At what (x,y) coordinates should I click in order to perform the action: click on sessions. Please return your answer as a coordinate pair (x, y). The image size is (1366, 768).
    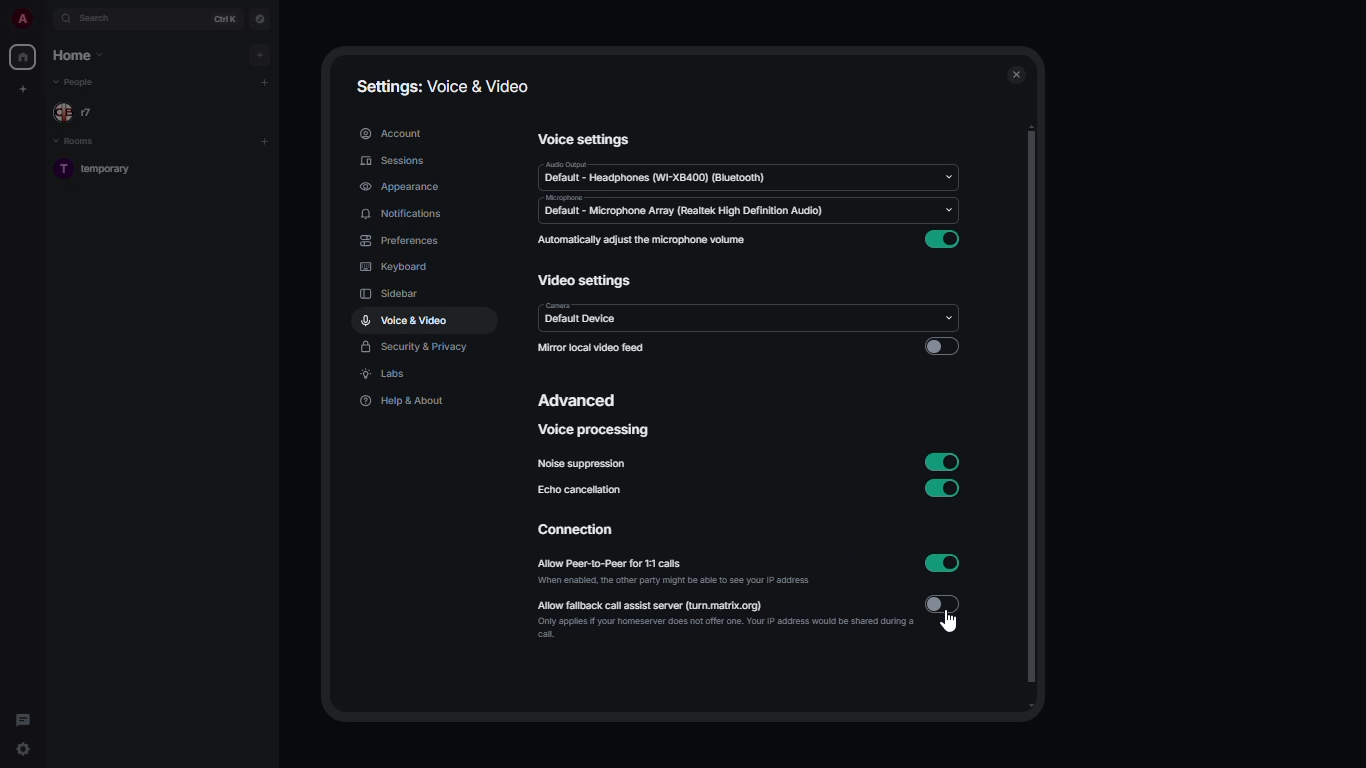
    Looking at the image, I should click on (396, 160).